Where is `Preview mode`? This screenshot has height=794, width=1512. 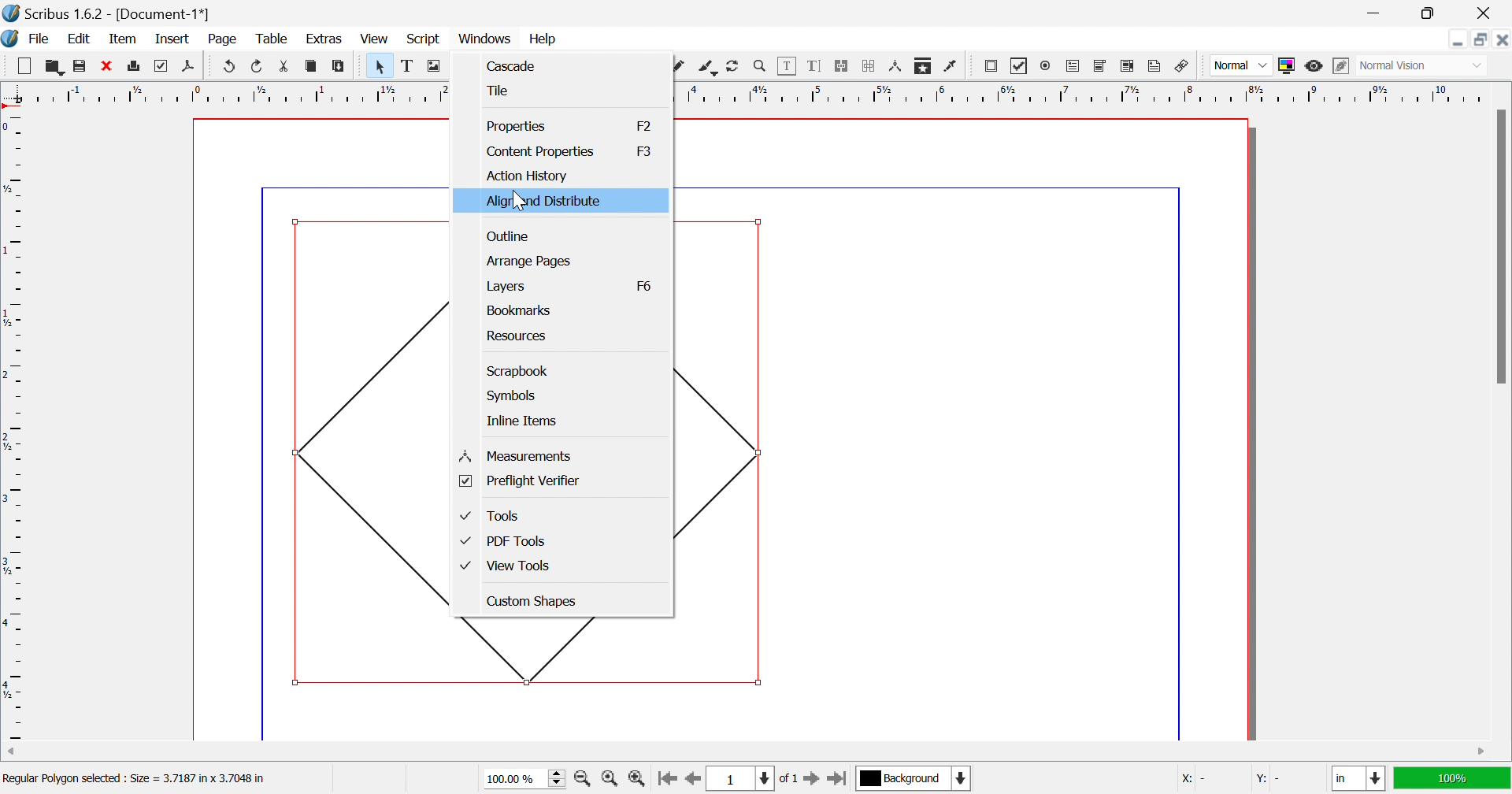
Preview mode is located at coordinates (1313, 66).